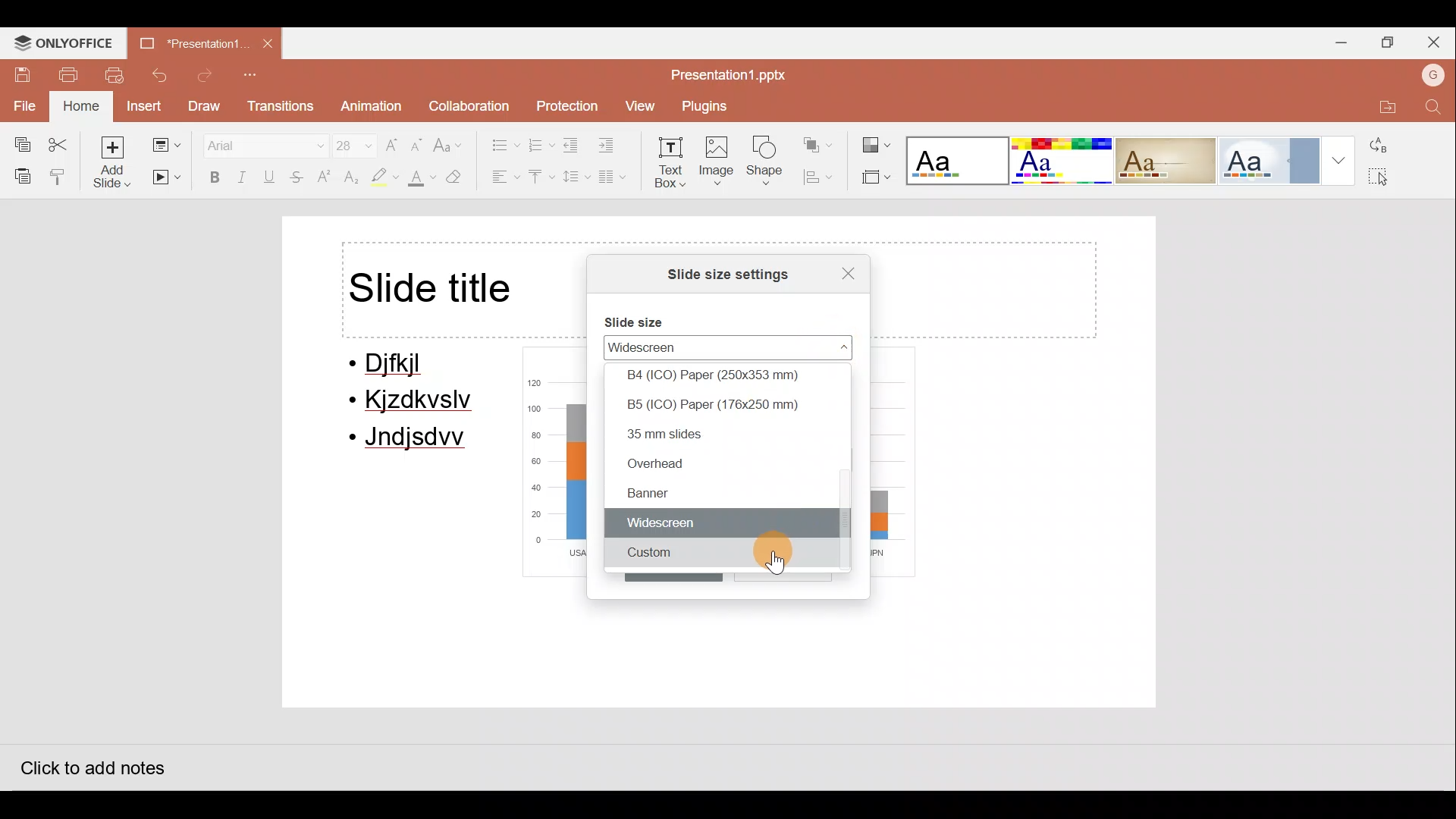 The height and width of the screenshot is (819, 1456). What do you see at coordinates (840, 271) in the screenshot?
I see `Close` at bounding box center [840, 271].